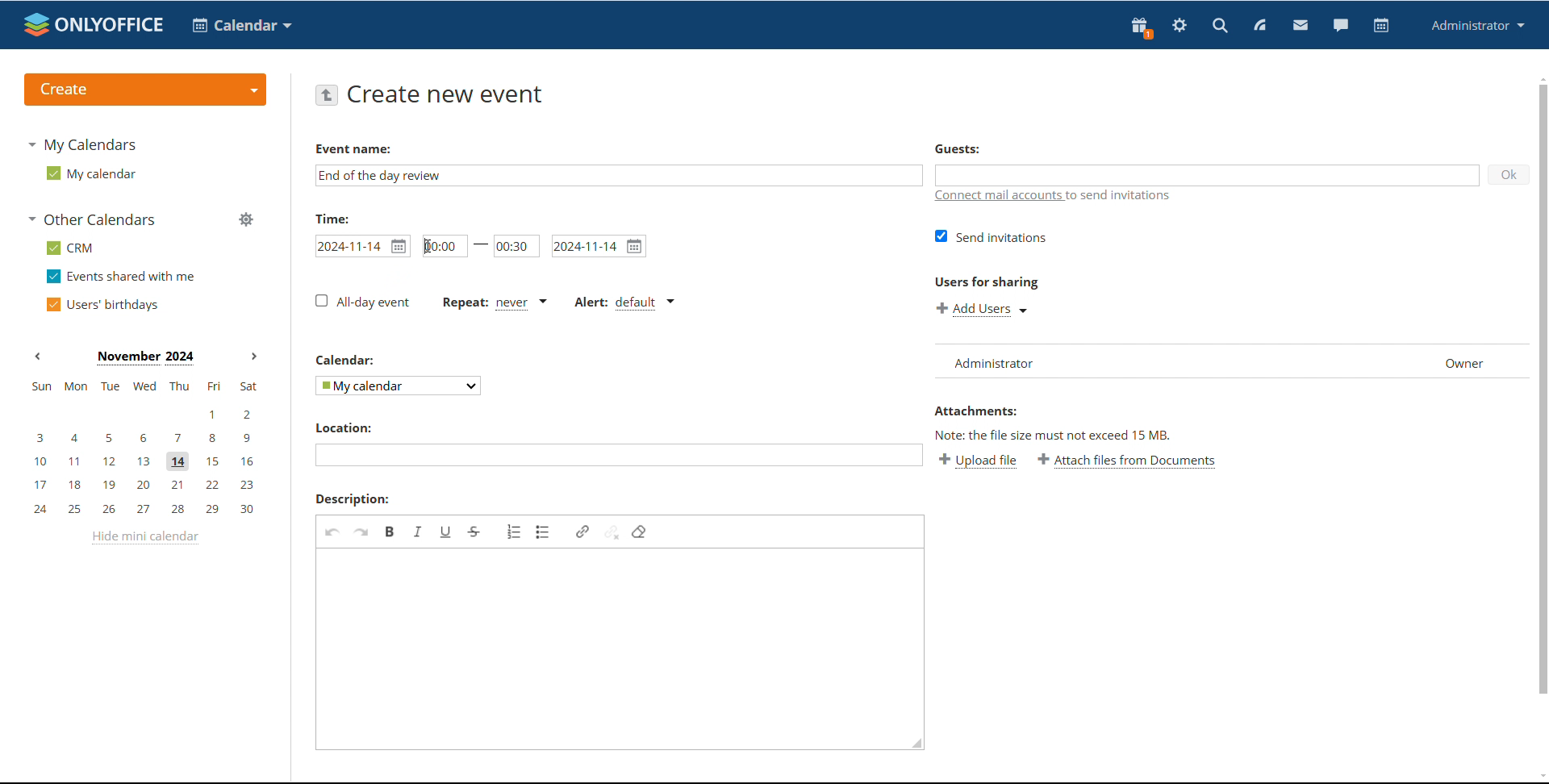 The height and width of the screenshot is (784, 1549). Describe the element at coordinates (142, 415) in the screenshot. I see `1, 2` at that location.